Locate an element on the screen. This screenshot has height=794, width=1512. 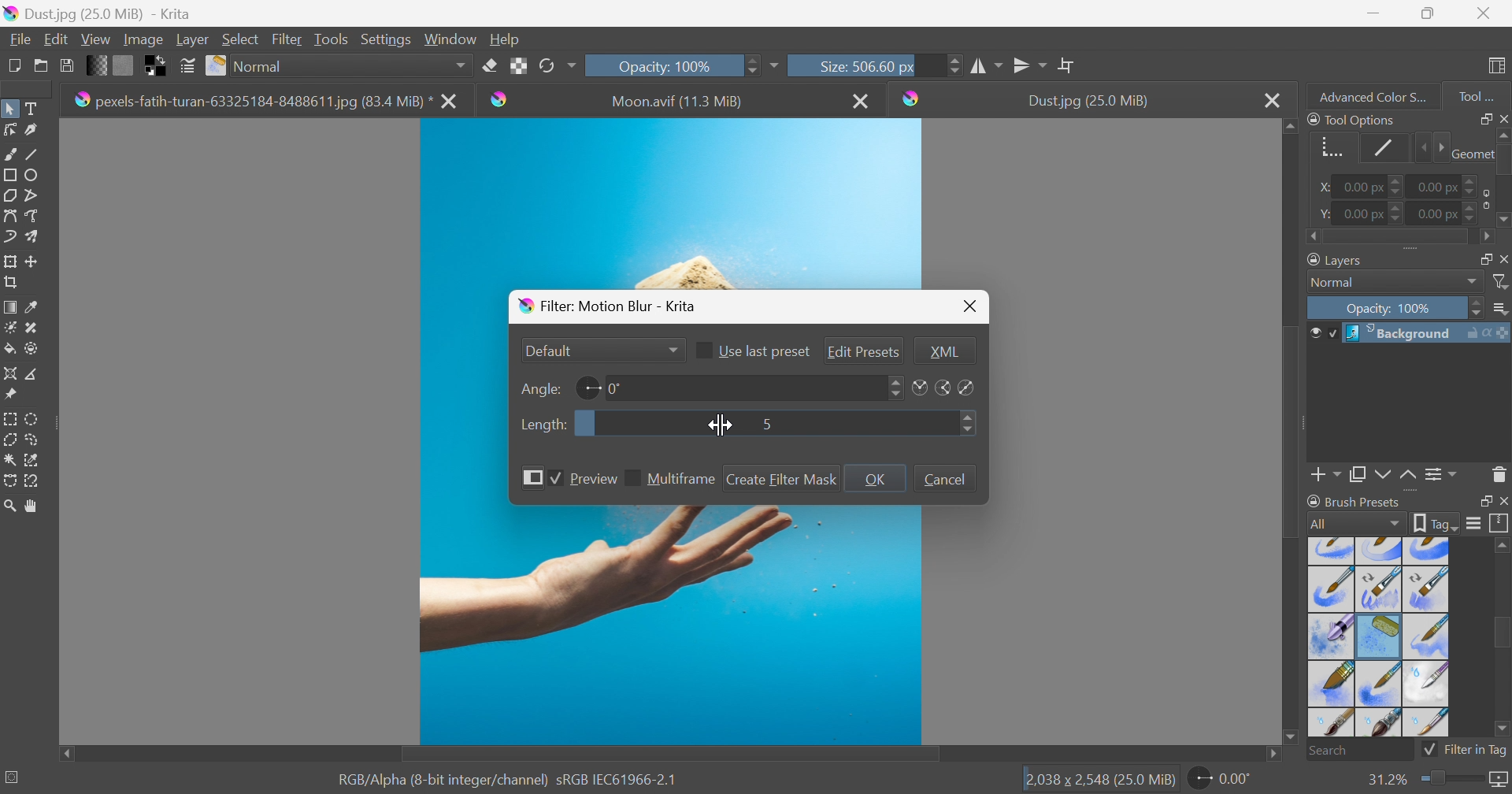
Search is located at coordinates (1360, 751).